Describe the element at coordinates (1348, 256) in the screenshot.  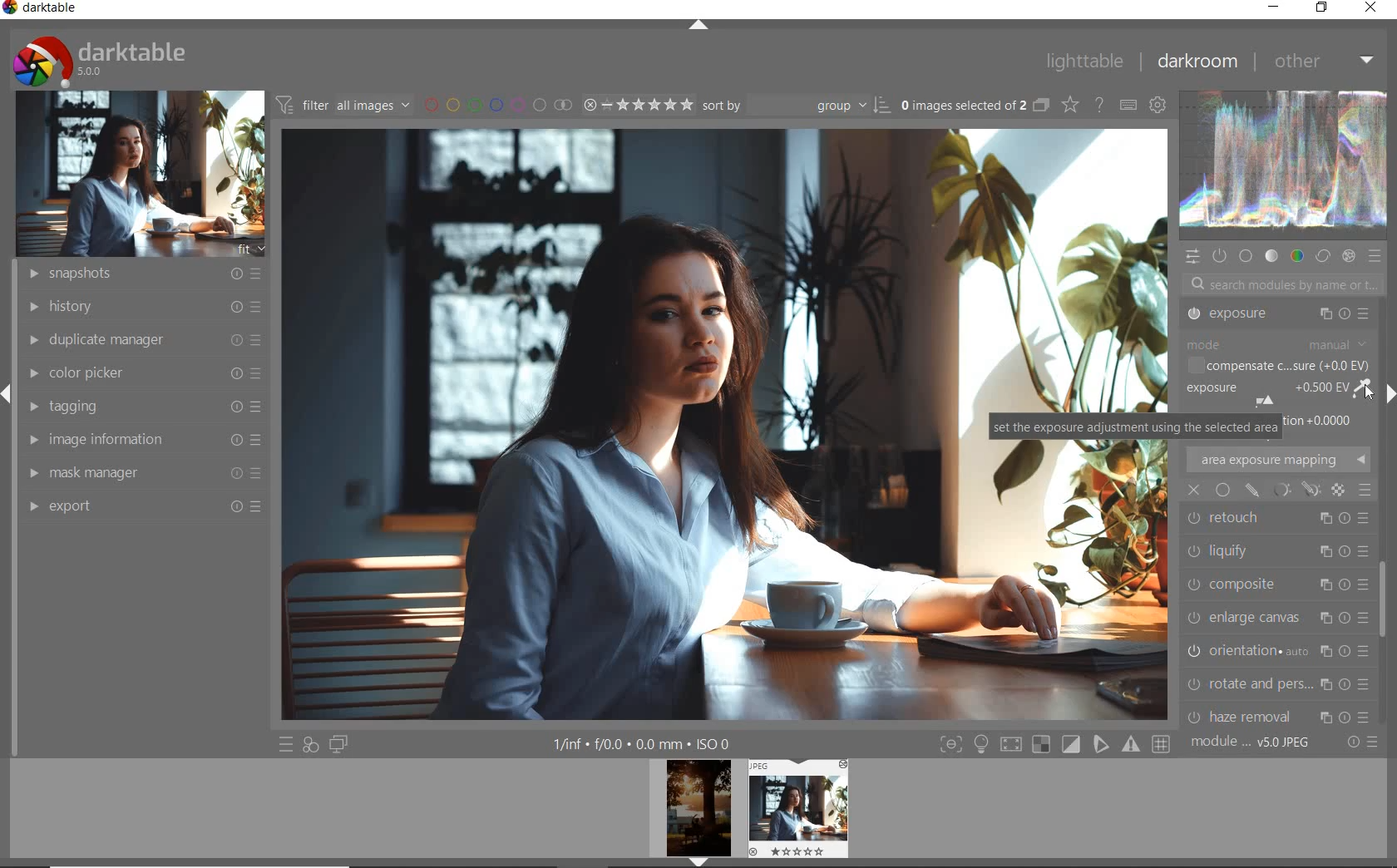
I see `EFFECT` at that location.